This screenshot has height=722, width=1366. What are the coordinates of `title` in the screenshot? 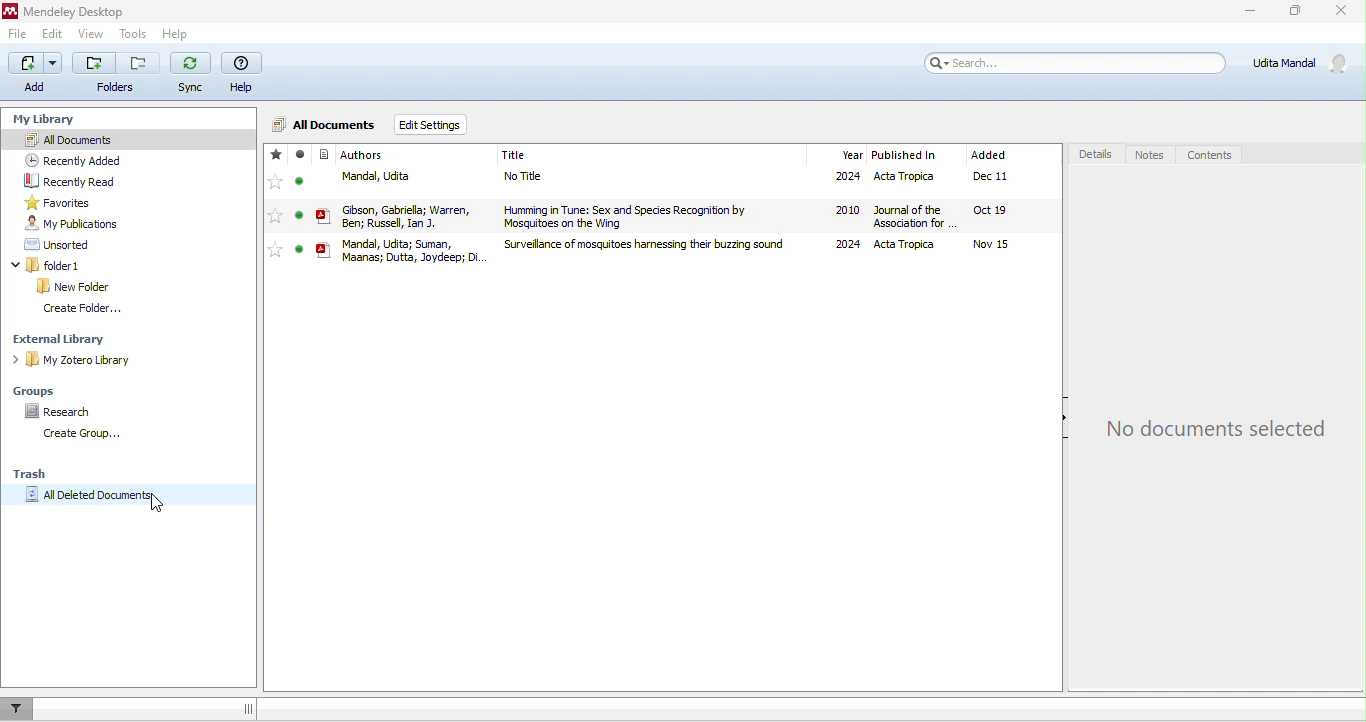 It's located at (533, 153).